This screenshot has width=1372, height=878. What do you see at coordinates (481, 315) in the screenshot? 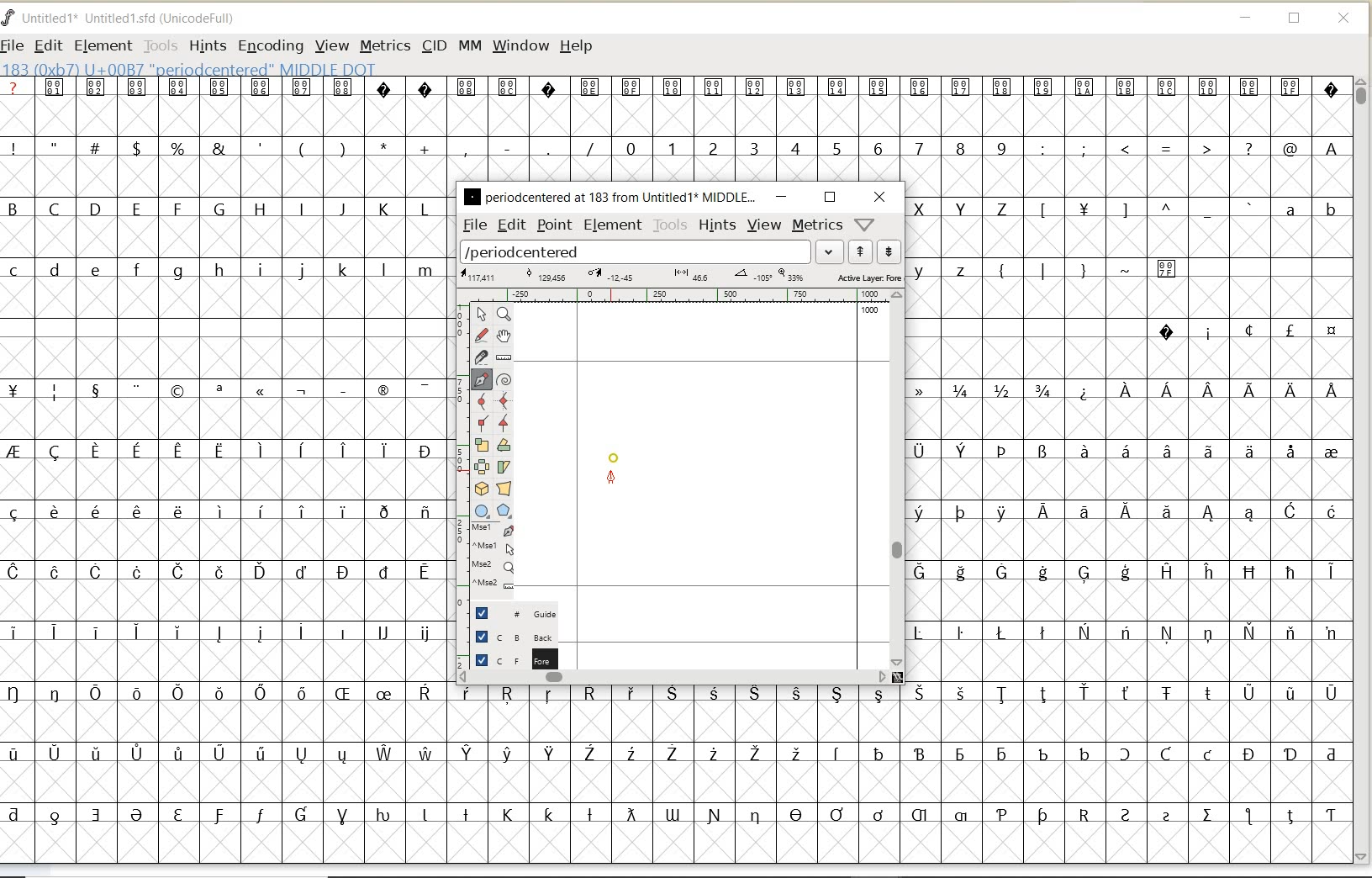
I see `pointer` at bounding box center [481, 315].